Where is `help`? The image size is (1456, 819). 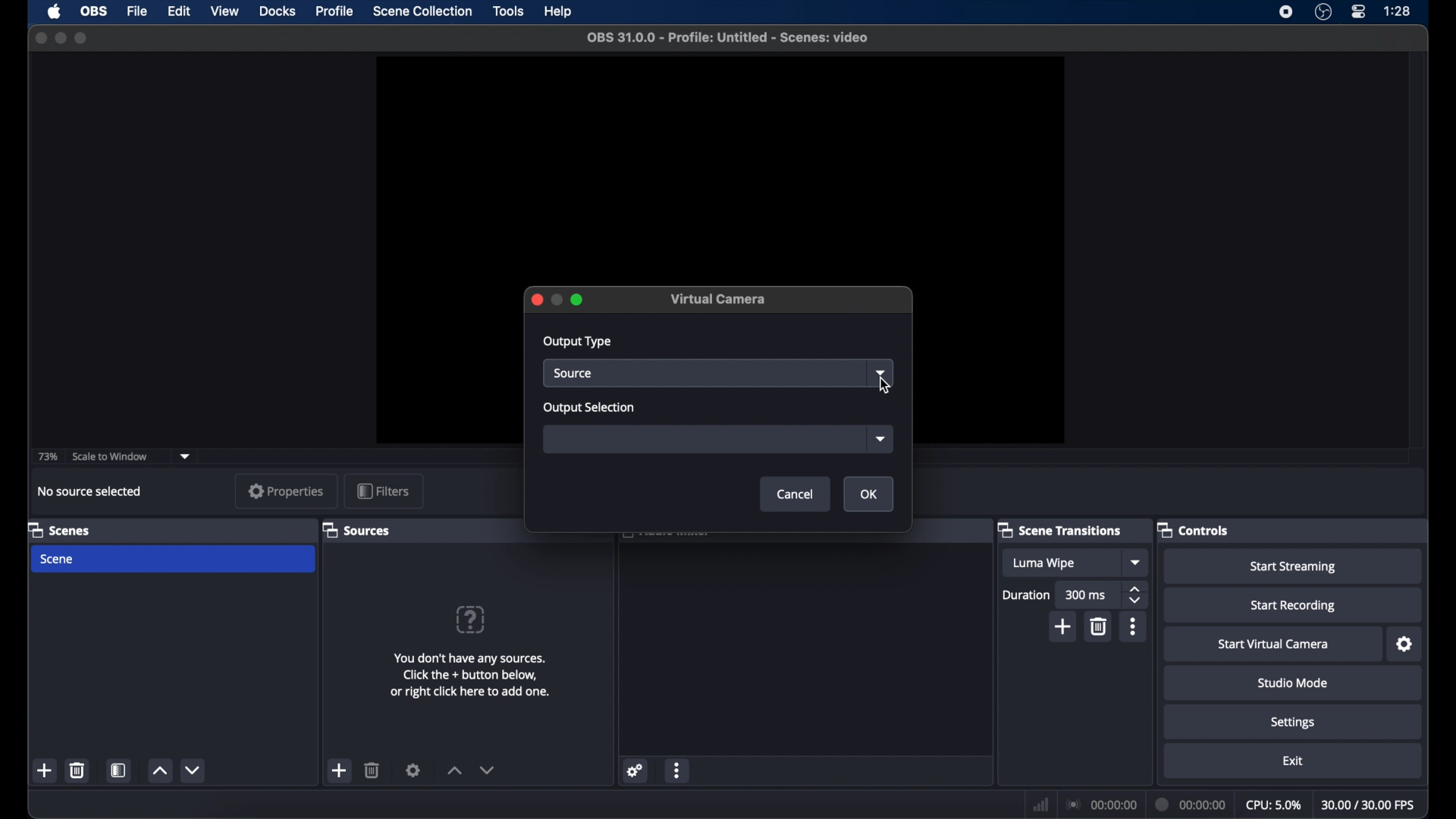 help is located at coordinates (560, 12).